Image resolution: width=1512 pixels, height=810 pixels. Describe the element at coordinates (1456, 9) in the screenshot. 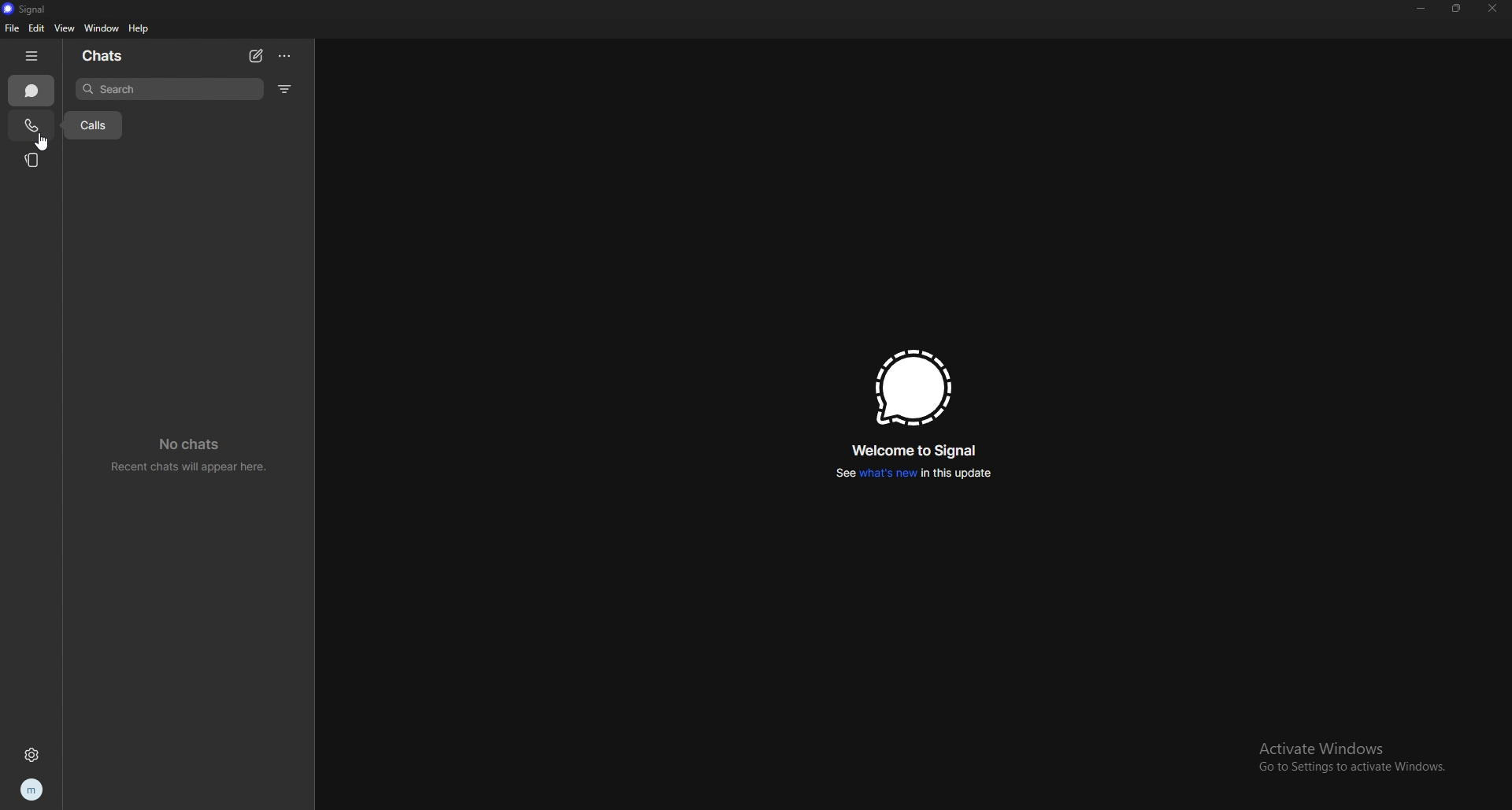

I see `resize` at that location.